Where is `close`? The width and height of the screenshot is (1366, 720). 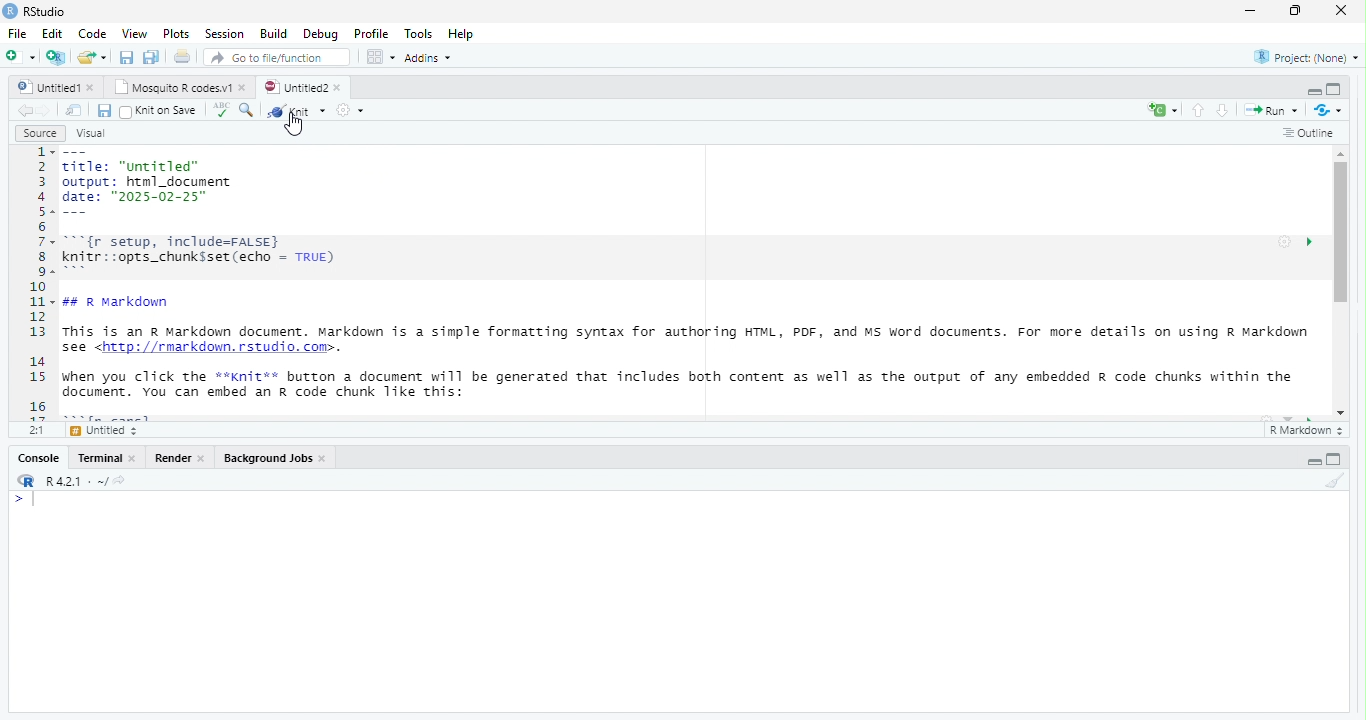 close is located at coordinates (325, 459).